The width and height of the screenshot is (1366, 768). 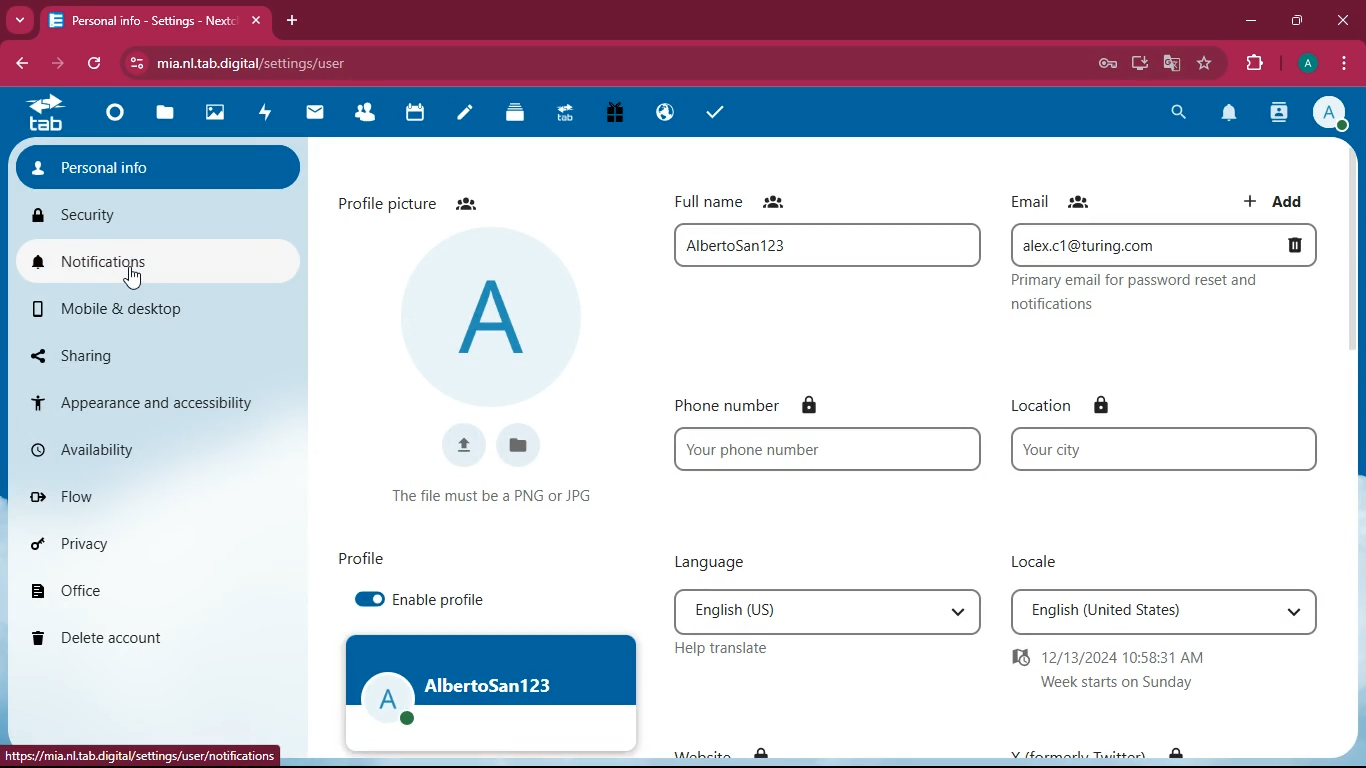 What do you see at coordinates (808, 404) in the screenshot?
I see `lock` at bounding box center [808, 404].